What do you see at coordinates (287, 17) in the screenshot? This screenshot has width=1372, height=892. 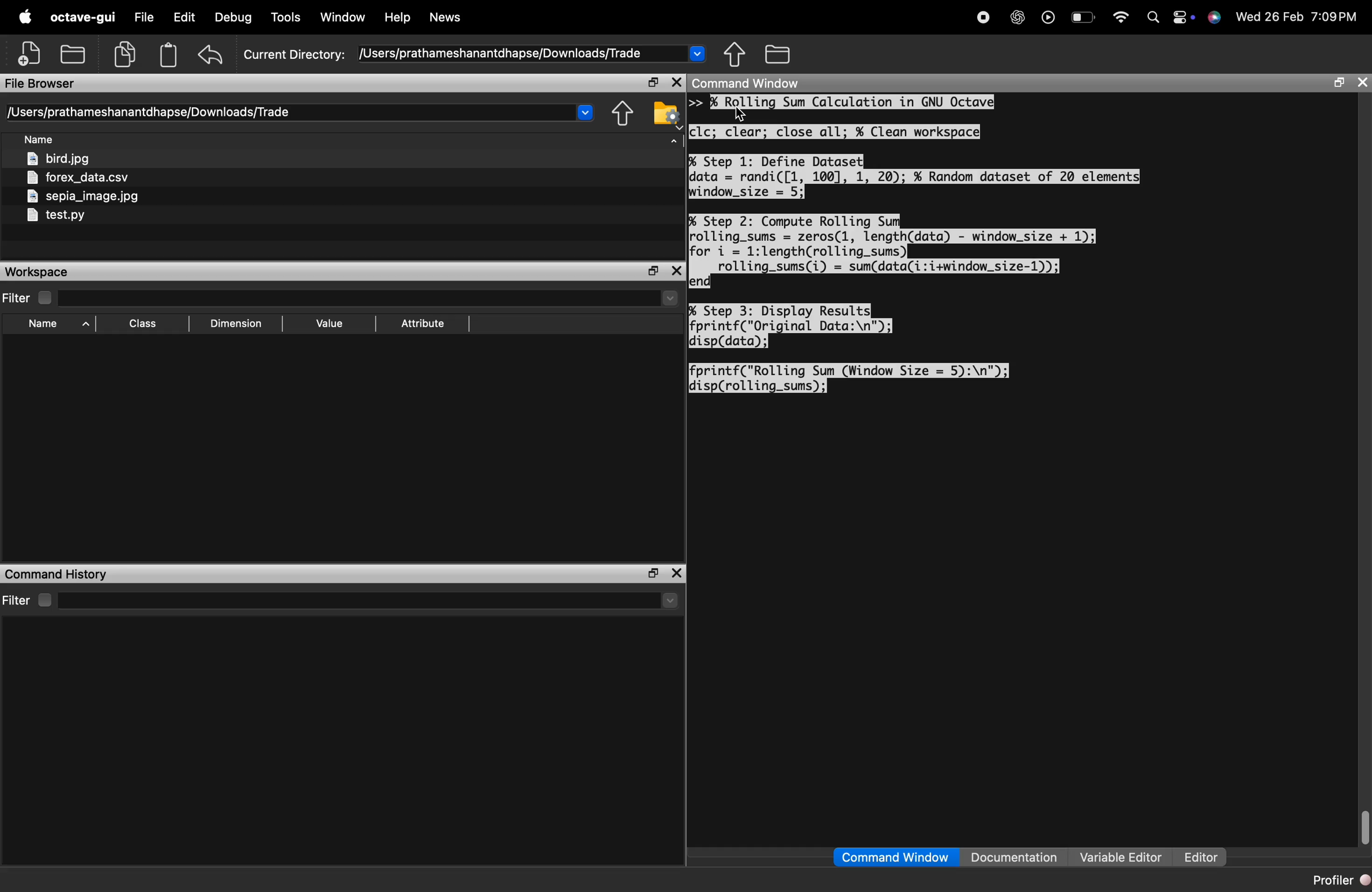 I see `tools` at bounding box center [287, 17].